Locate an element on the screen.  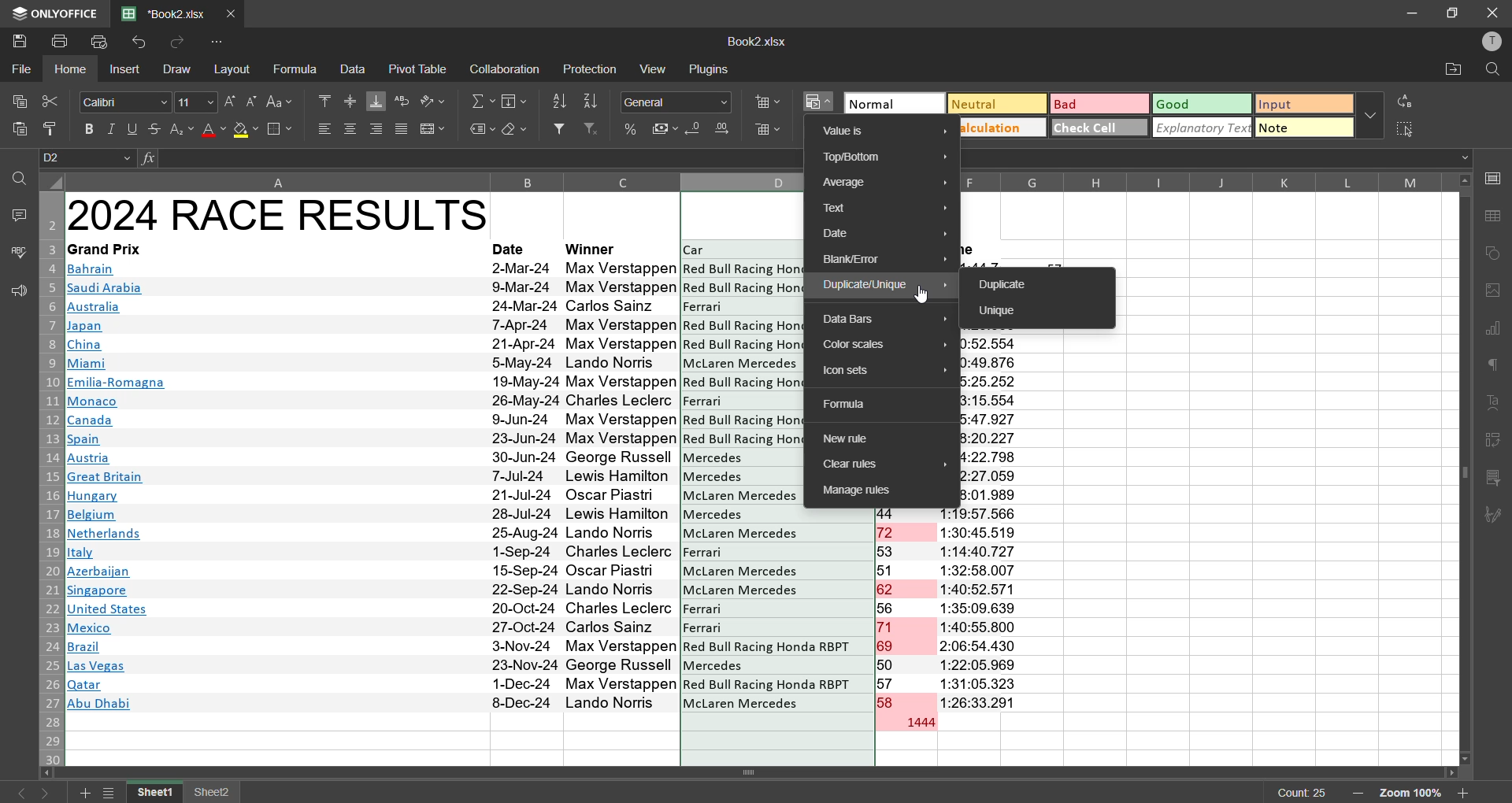
sheet  name is located at coordinates (157, 793).